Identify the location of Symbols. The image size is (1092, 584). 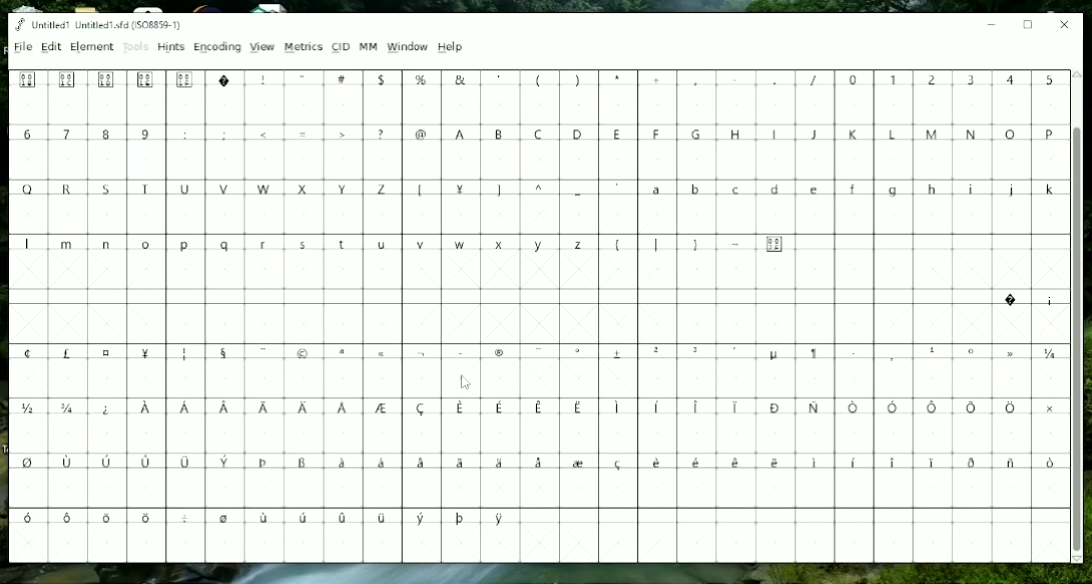
(541, 411).